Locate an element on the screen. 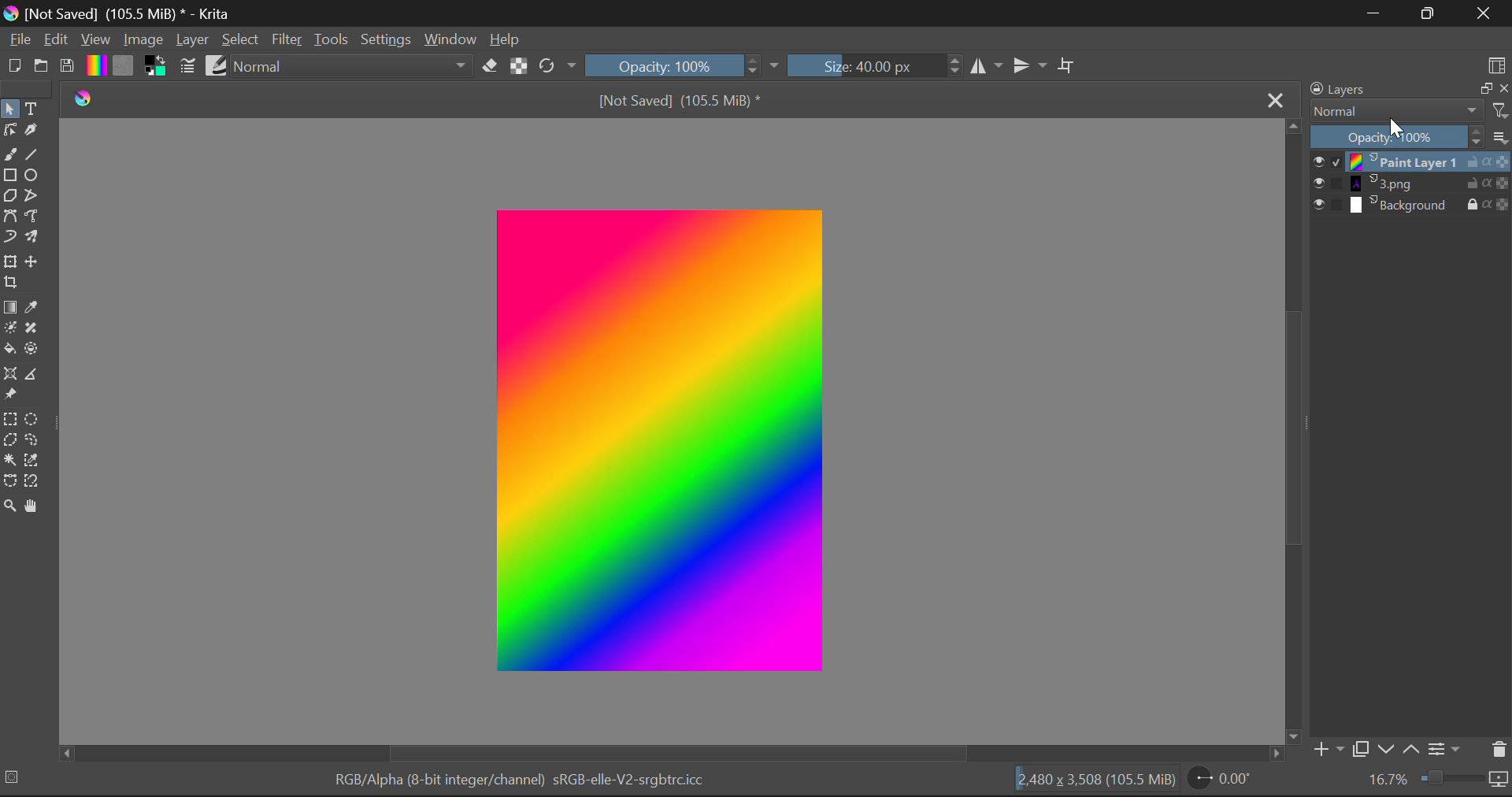  Lock Alpha is located at coordinates (519, 69).